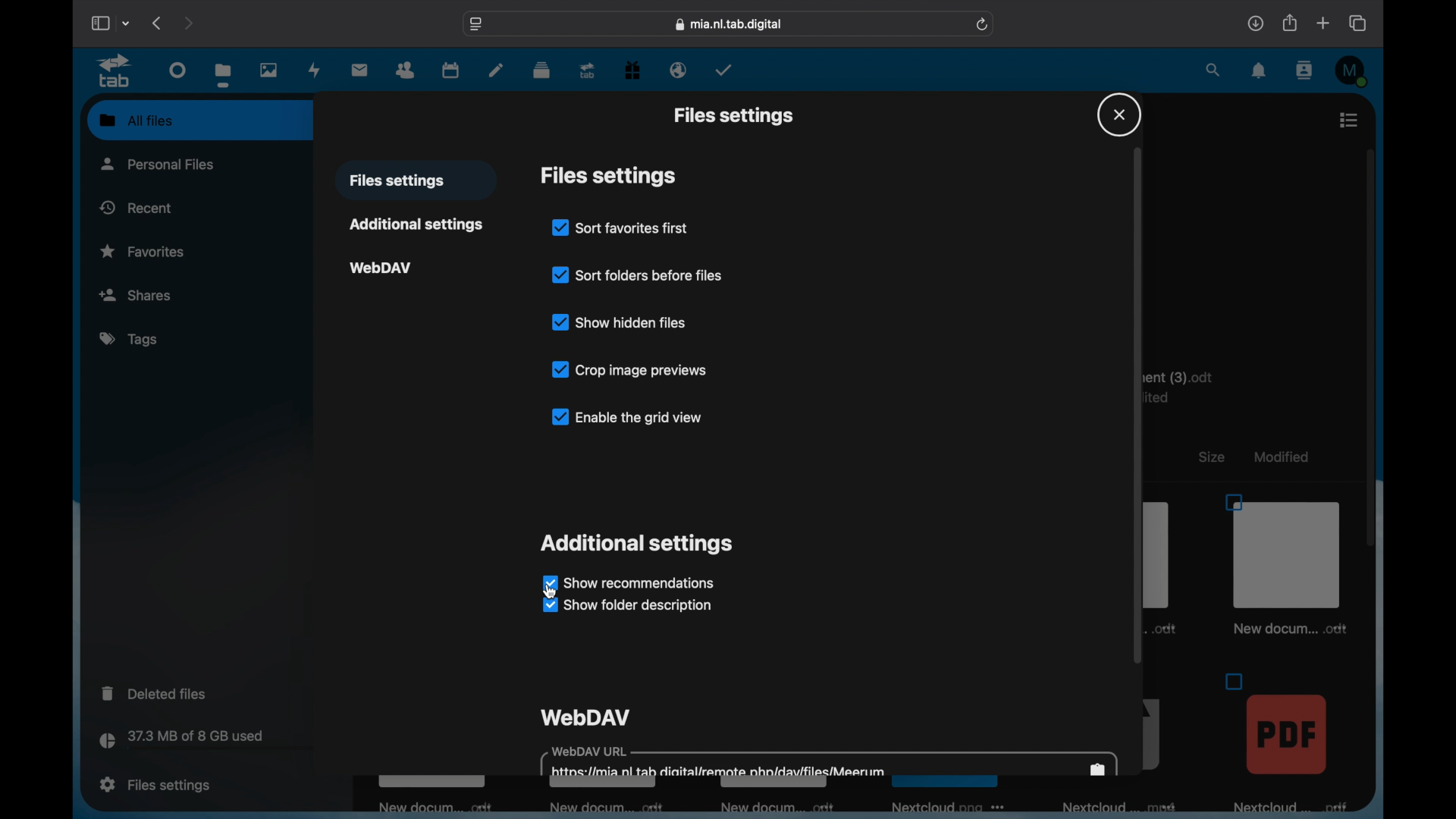 Image resolution: width=1456 pixels, height=819 pixels. I want to click on tasks, so click(725, 71).